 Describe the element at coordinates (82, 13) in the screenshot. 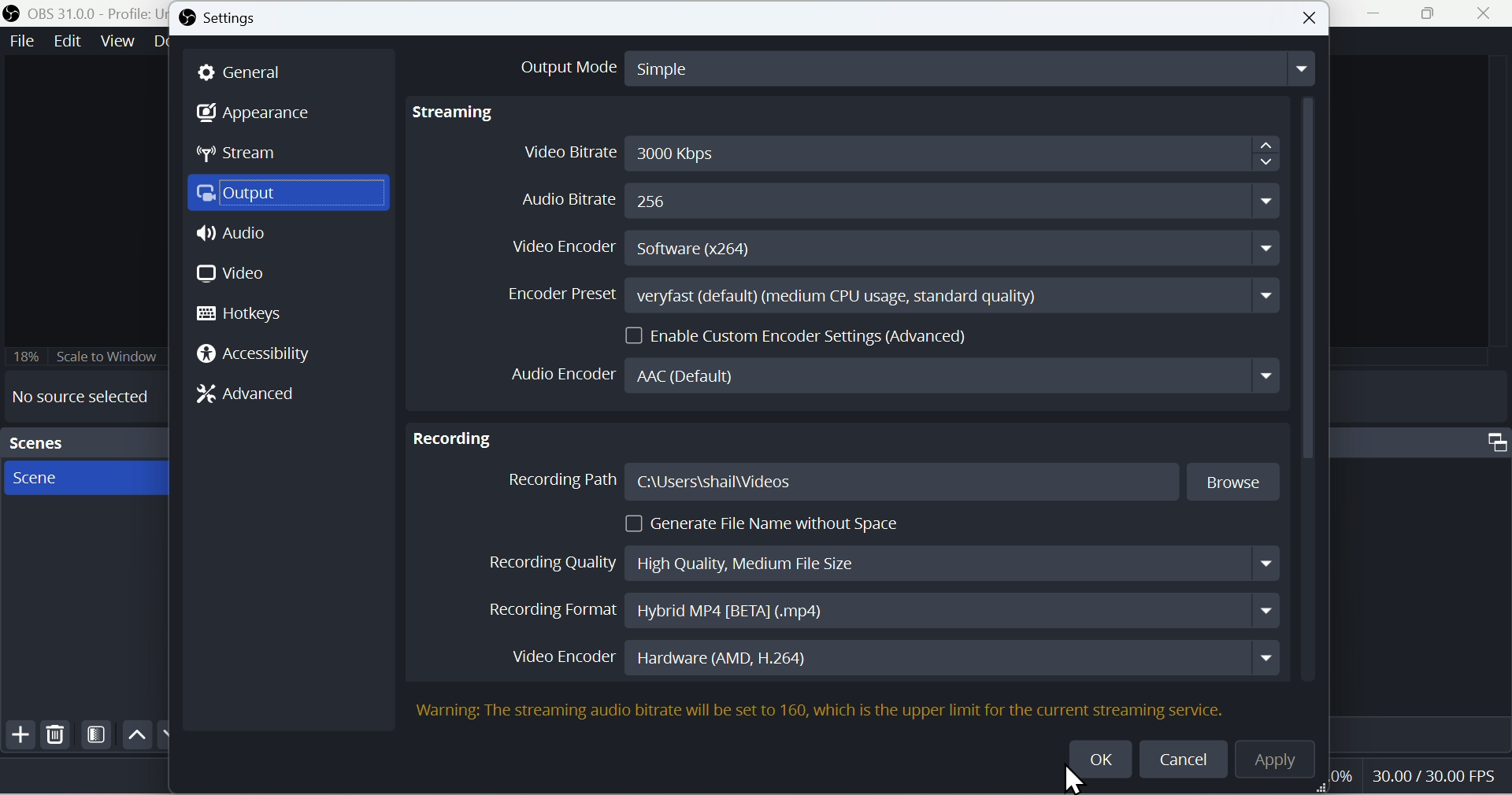

I see `OBS 31.0 .0` at that location.